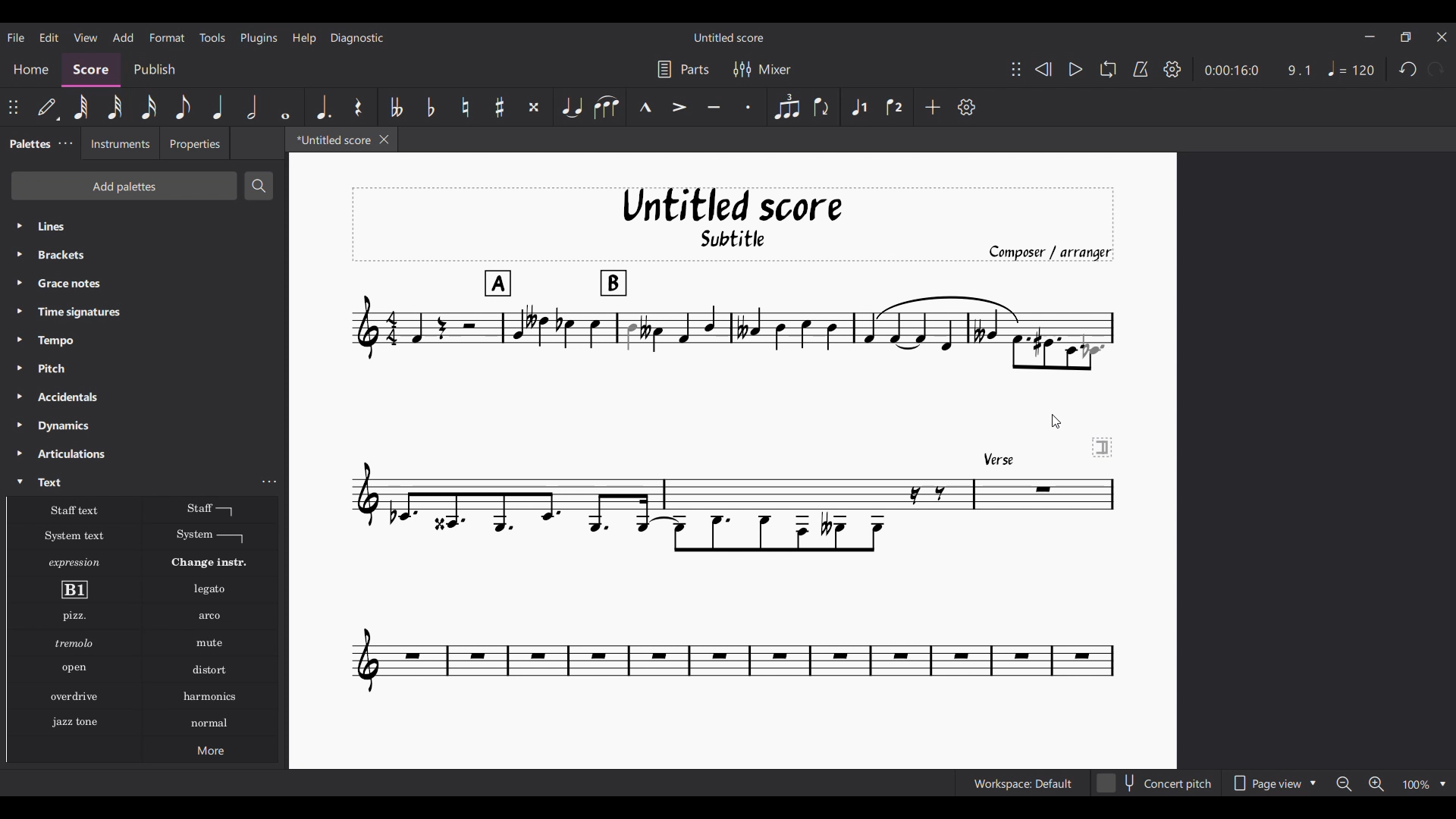  I want to click on Toggle double flat, so click(394, 107).